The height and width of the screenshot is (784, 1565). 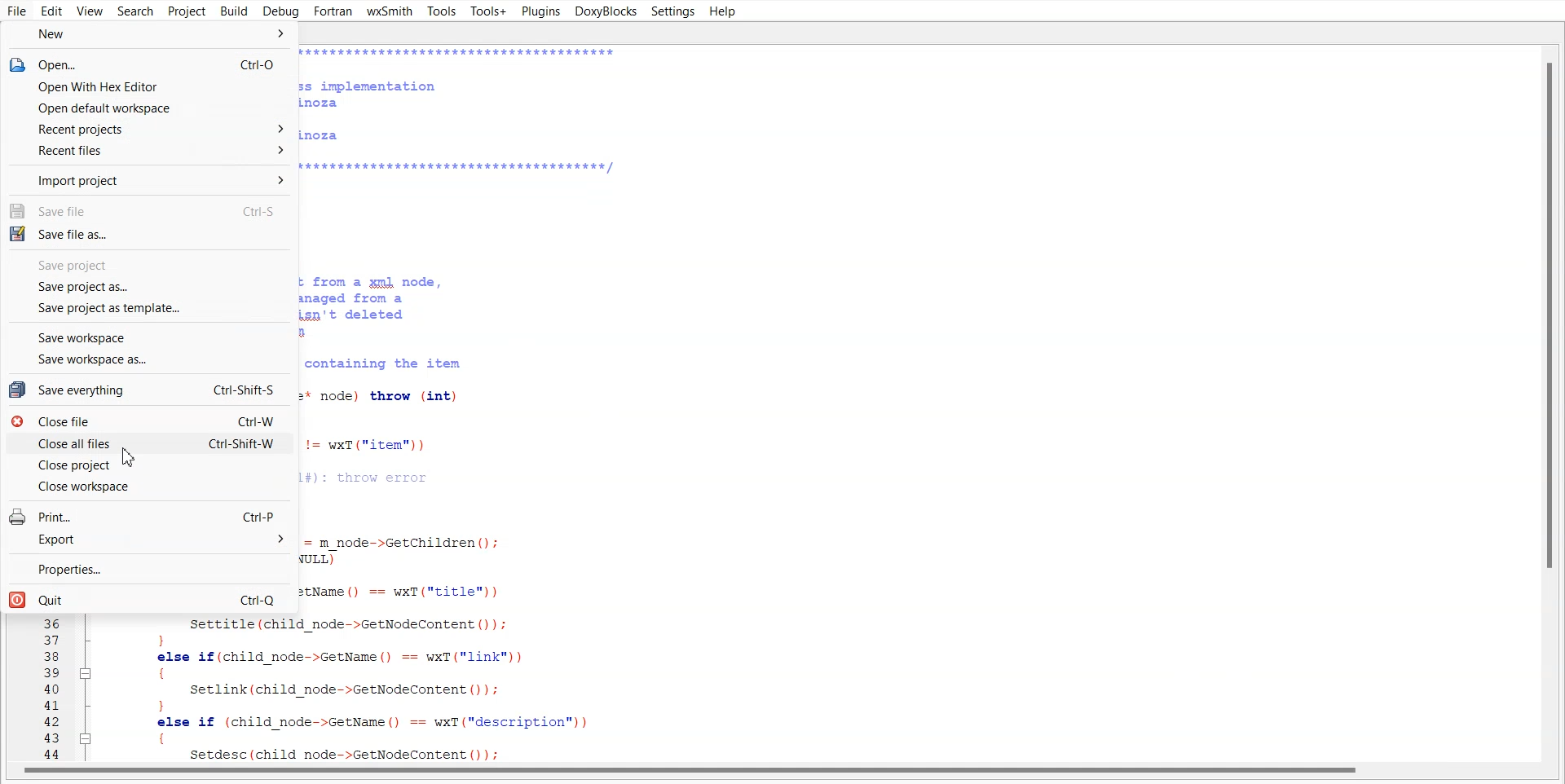 I want to click on File, so click(x=18, y=11).